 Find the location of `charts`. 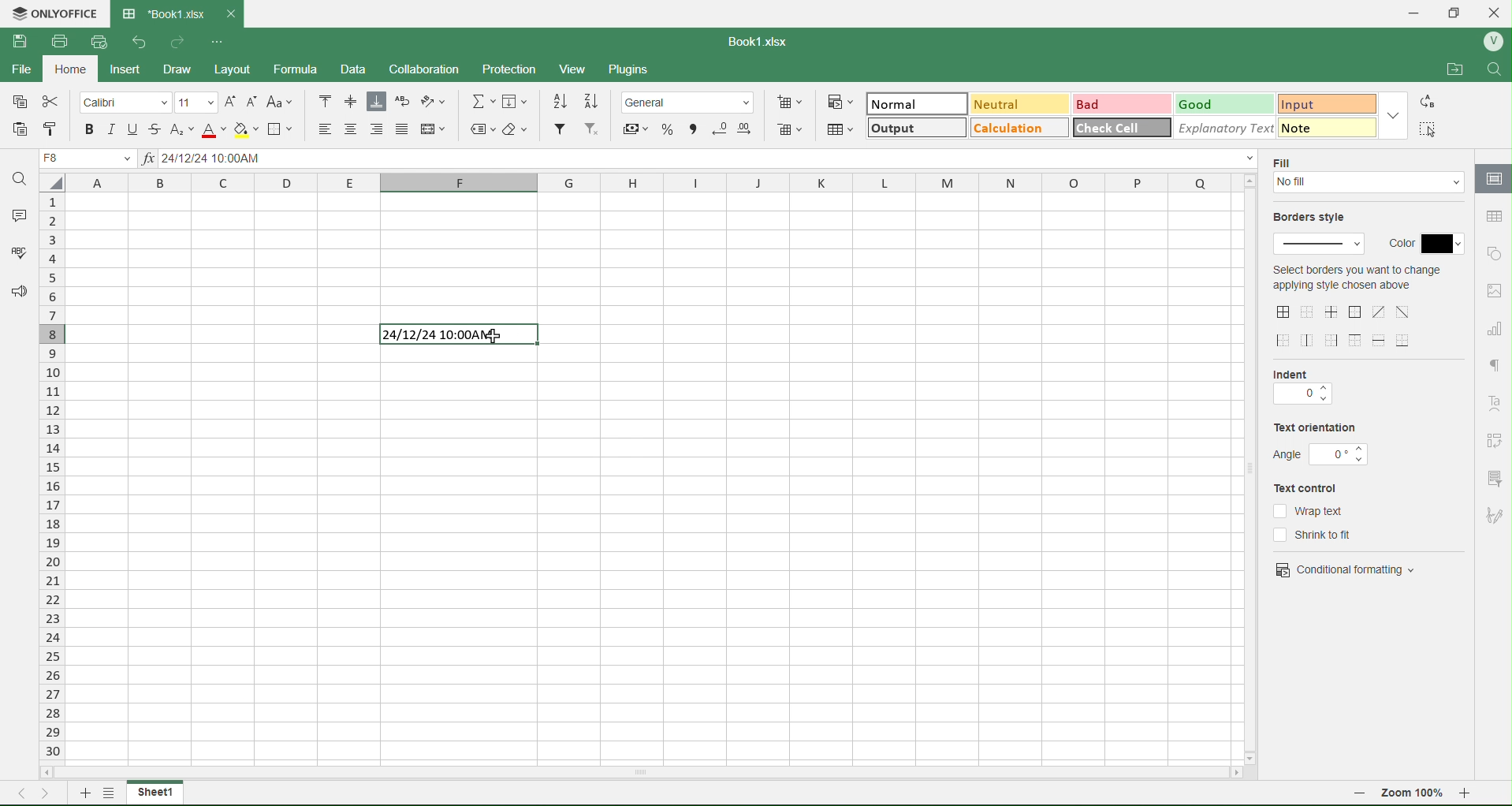

charts is located at coordinates (1495, 330).